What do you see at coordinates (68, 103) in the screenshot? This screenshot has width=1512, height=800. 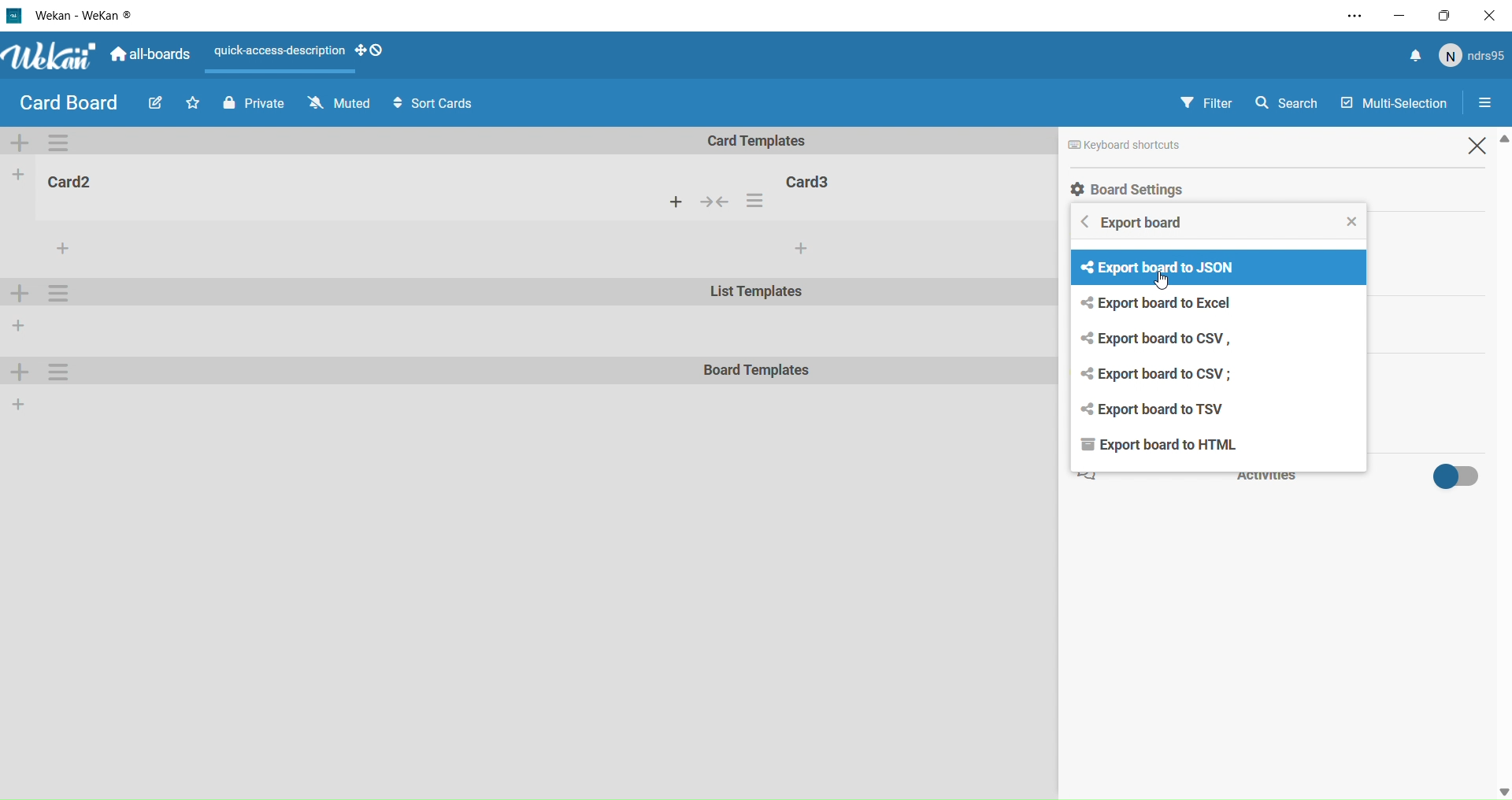 I see `Card board` at bounding box center [68, 103].